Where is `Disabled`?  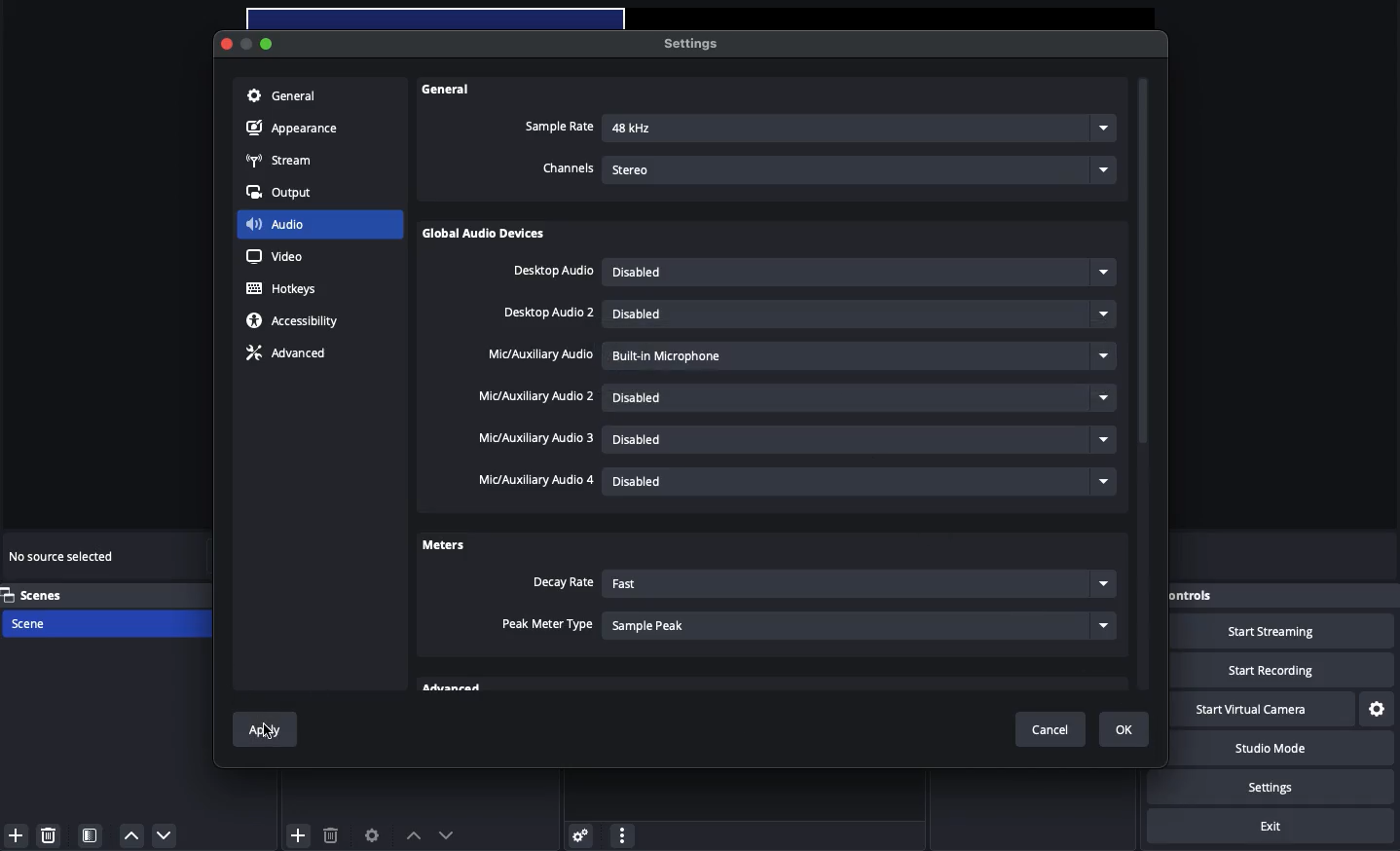
Disabled is located at coordinates (856, 442).